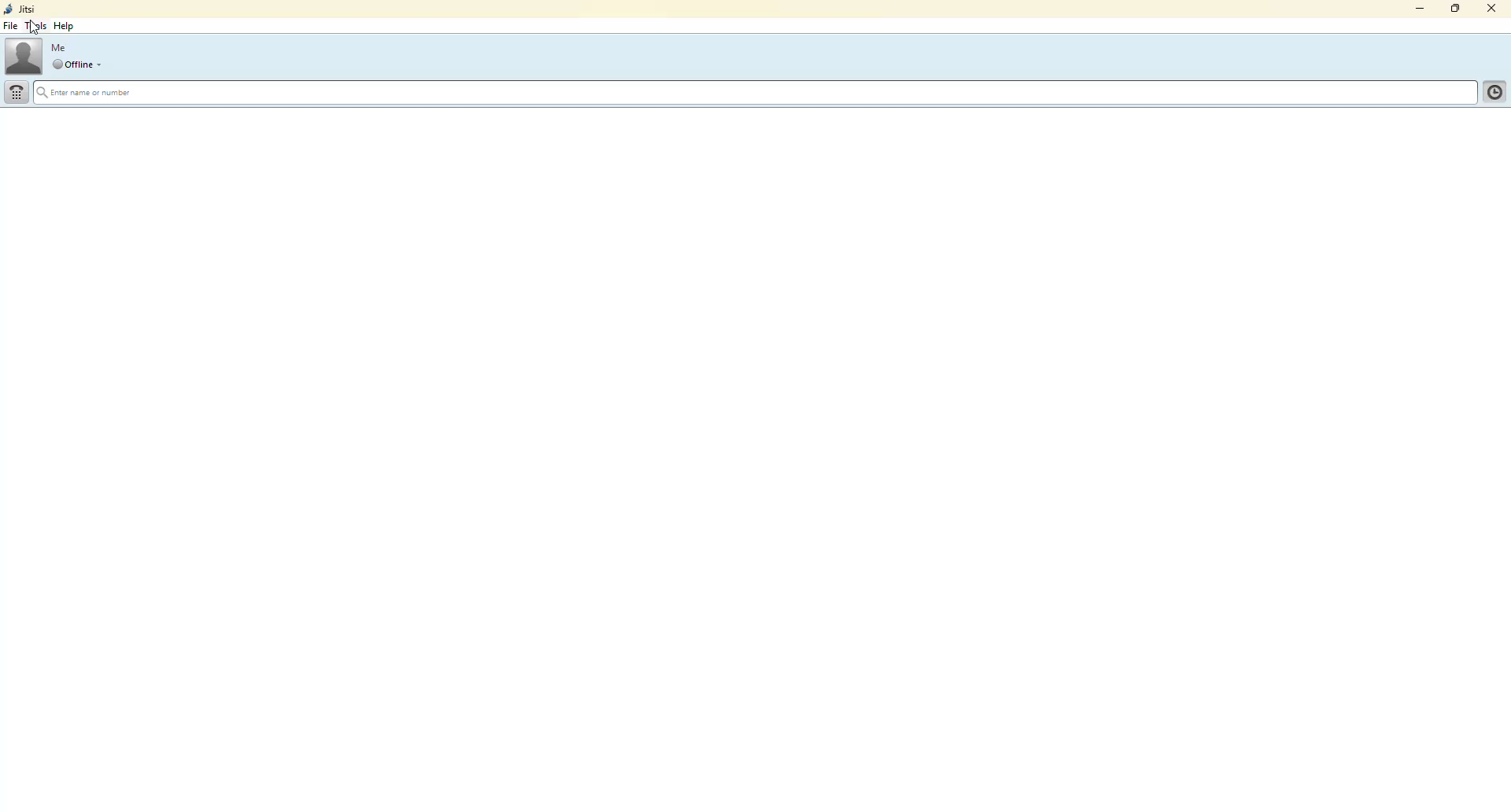  I want to click on tools, so click(39, 26).